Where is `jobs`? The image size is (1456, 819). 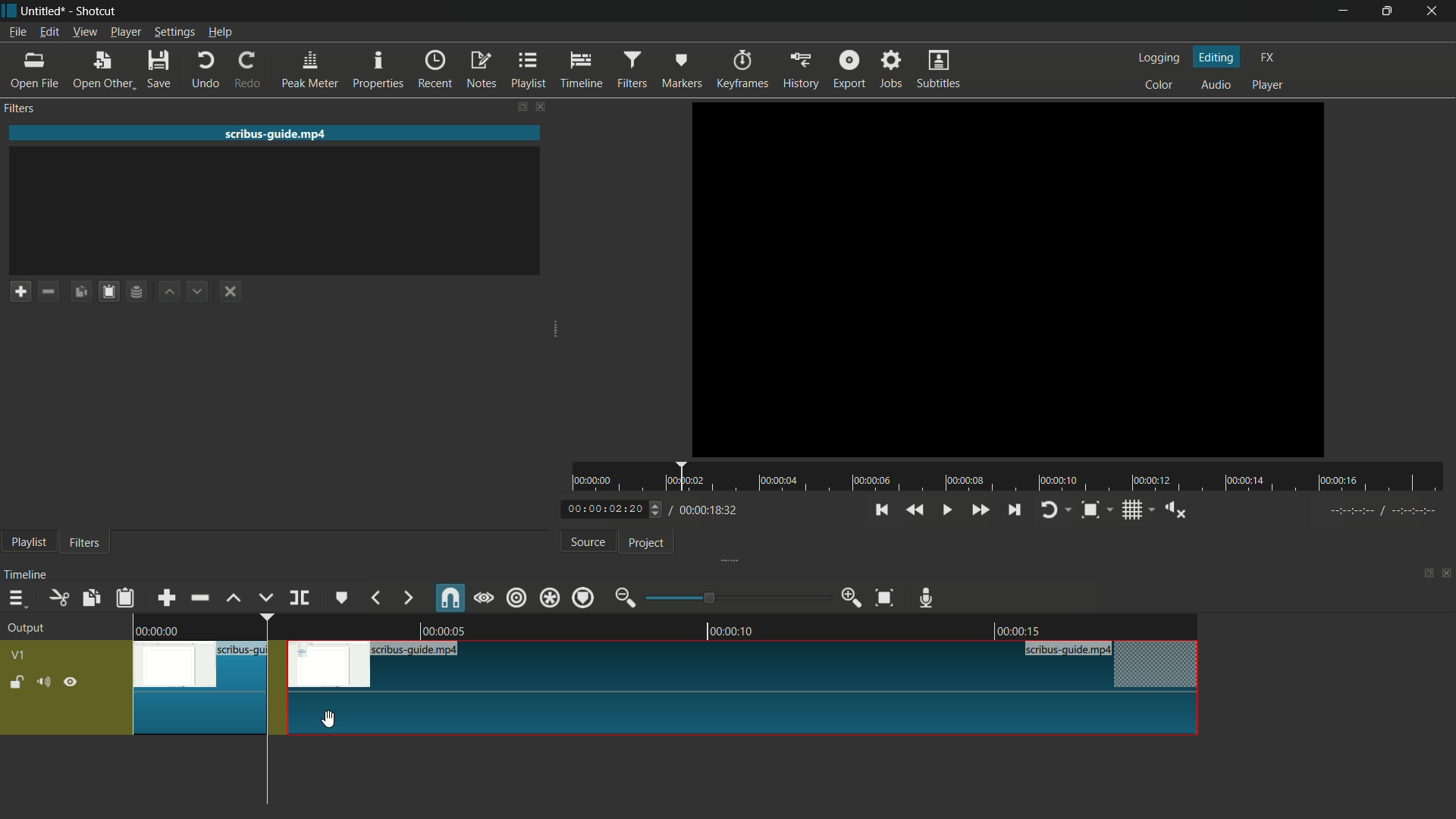 jobs is located at coordinates (893, 68).